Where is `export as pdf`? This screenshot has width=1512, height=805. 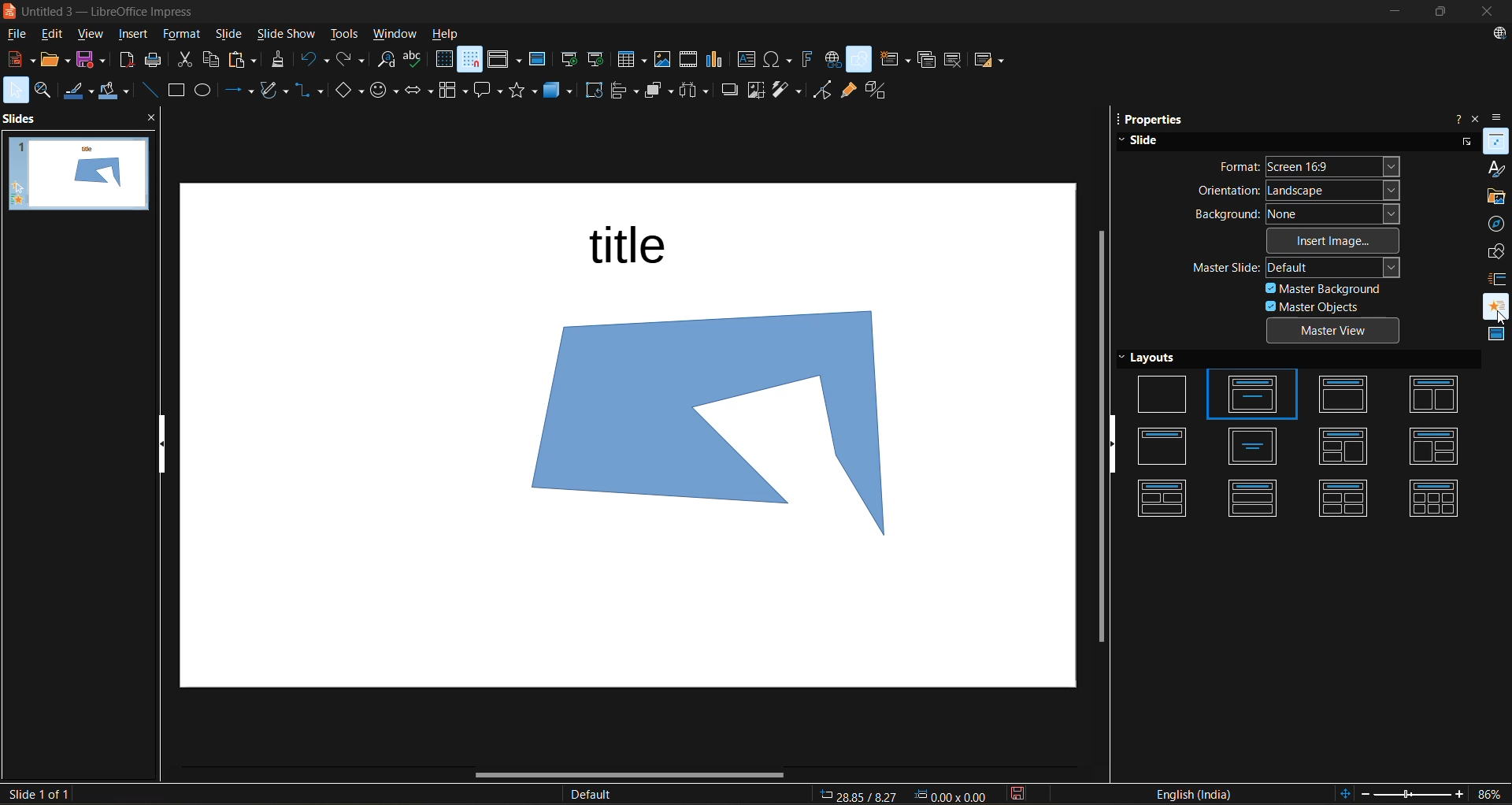 export as pdf is located at coordinates (125, 59).